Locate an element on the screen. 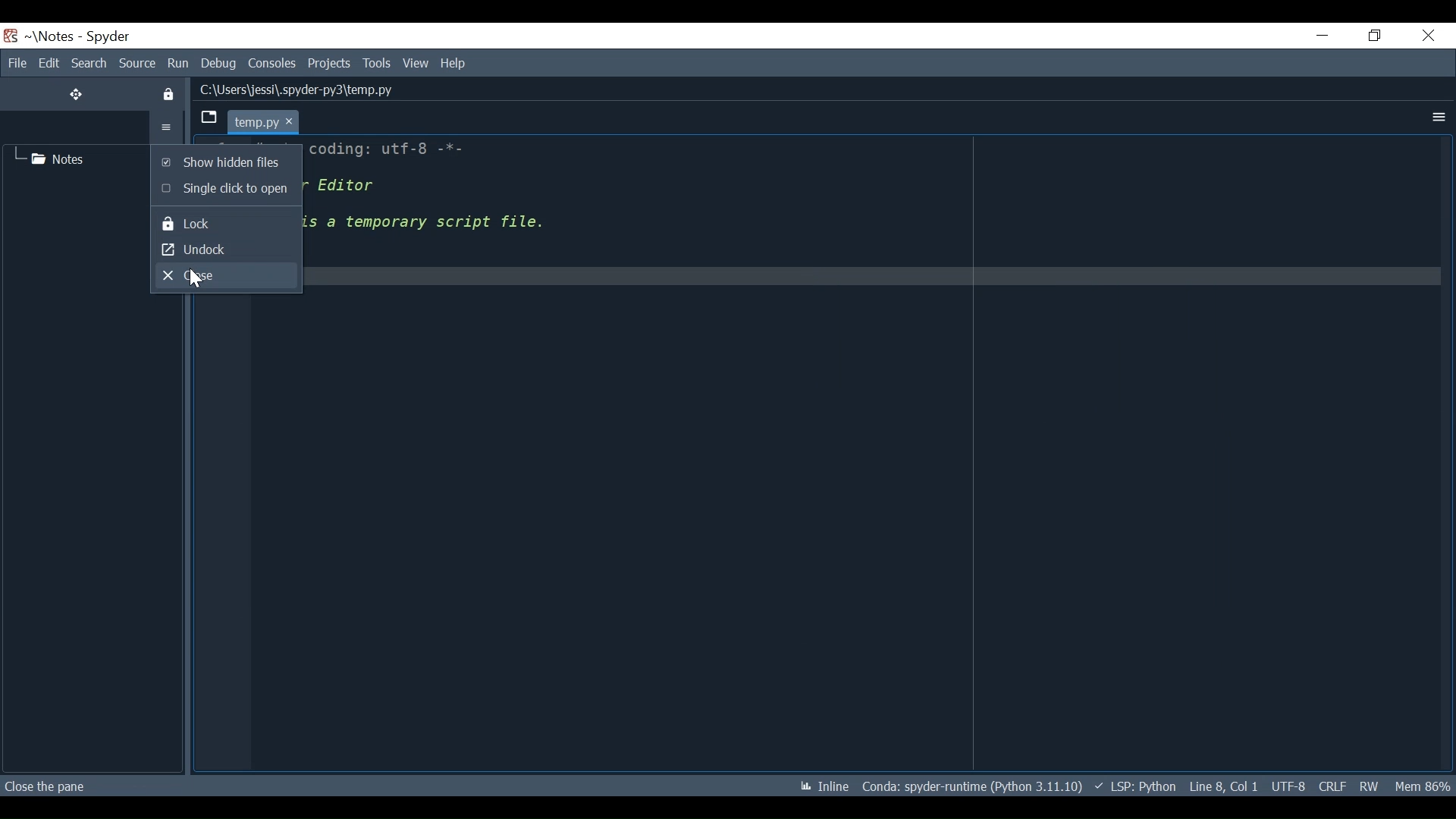 The width and height of the screenshot is (1456, 819). Edit is located at coordinates (49, 63).